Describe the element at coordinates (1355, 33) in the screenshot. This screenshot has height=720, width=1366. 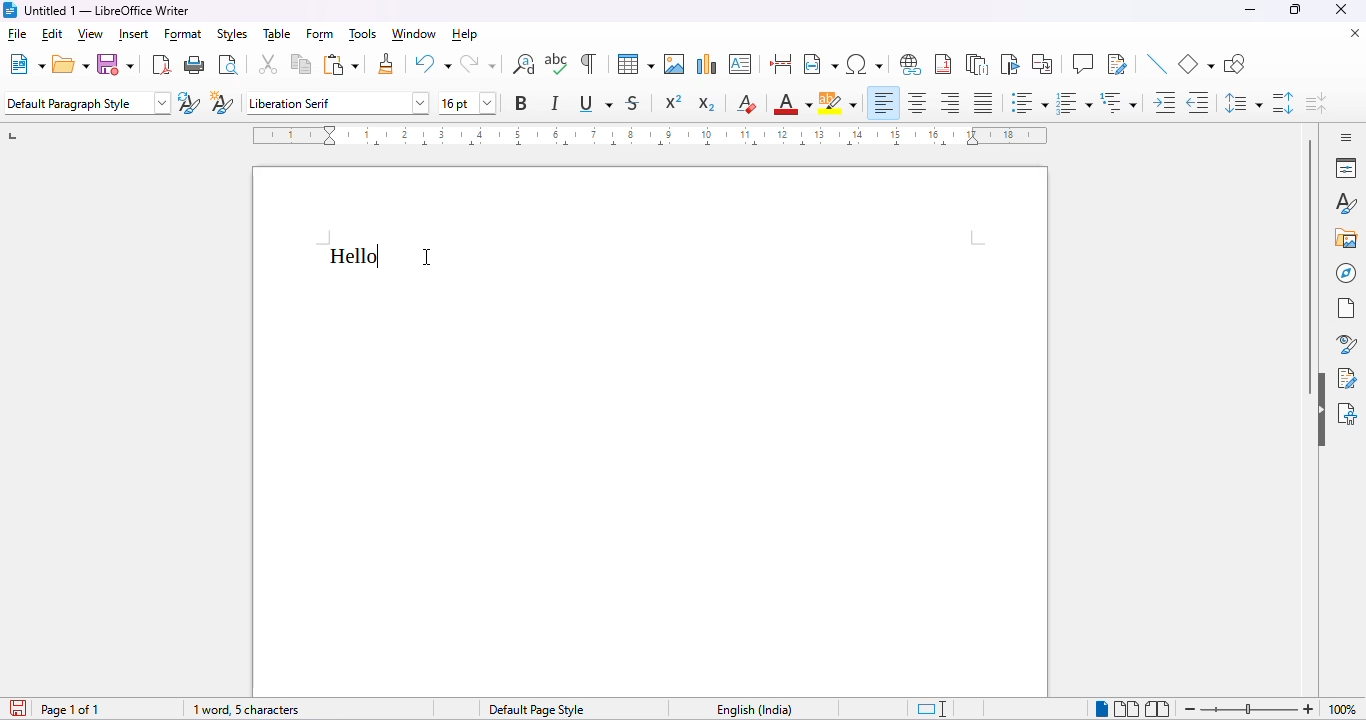
I see `close document` at that location.